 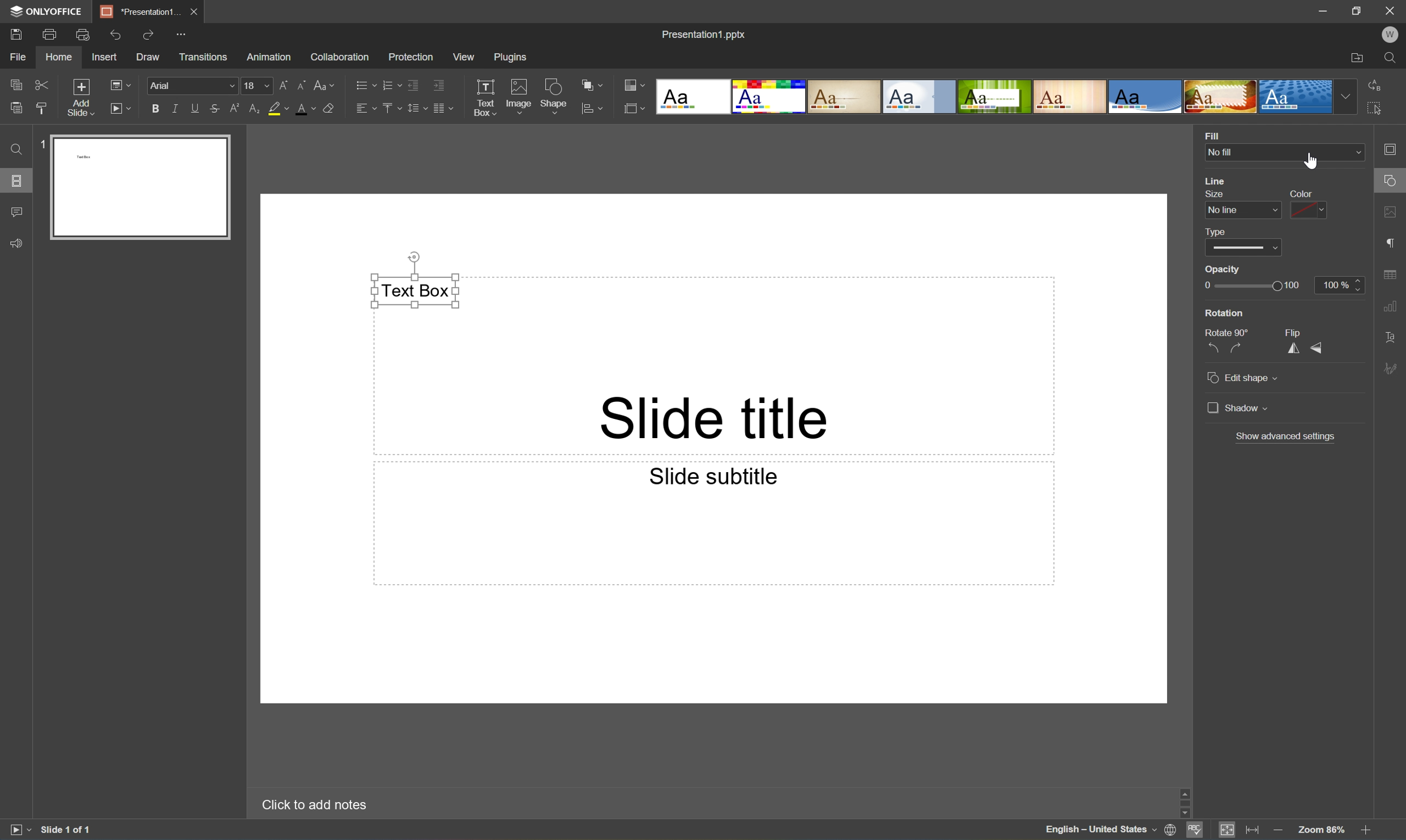 I want to click on Flip Horizontal, so click(x=1291, y=349).